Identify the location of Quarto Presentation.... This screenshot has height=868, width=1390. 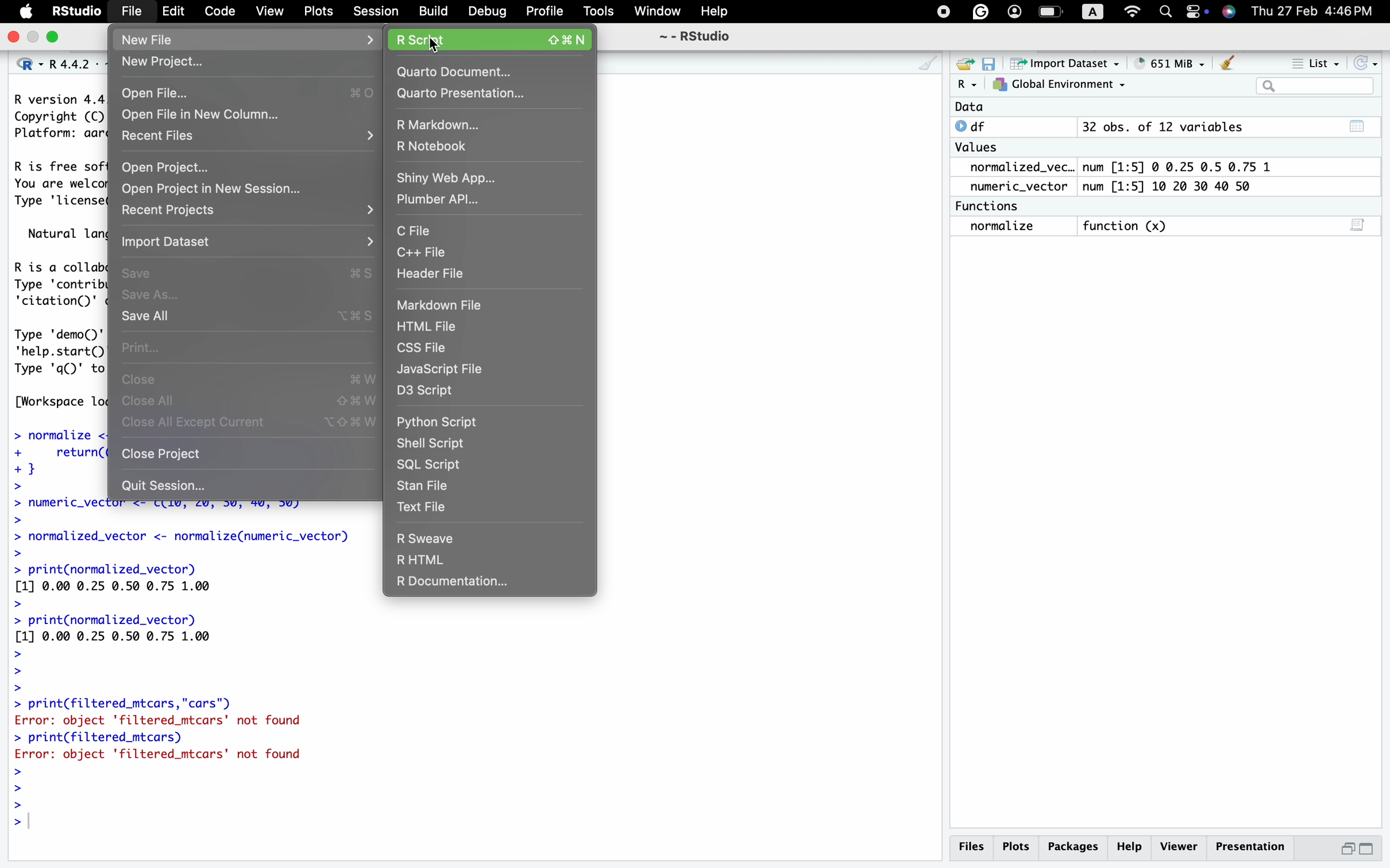
(467, 95).